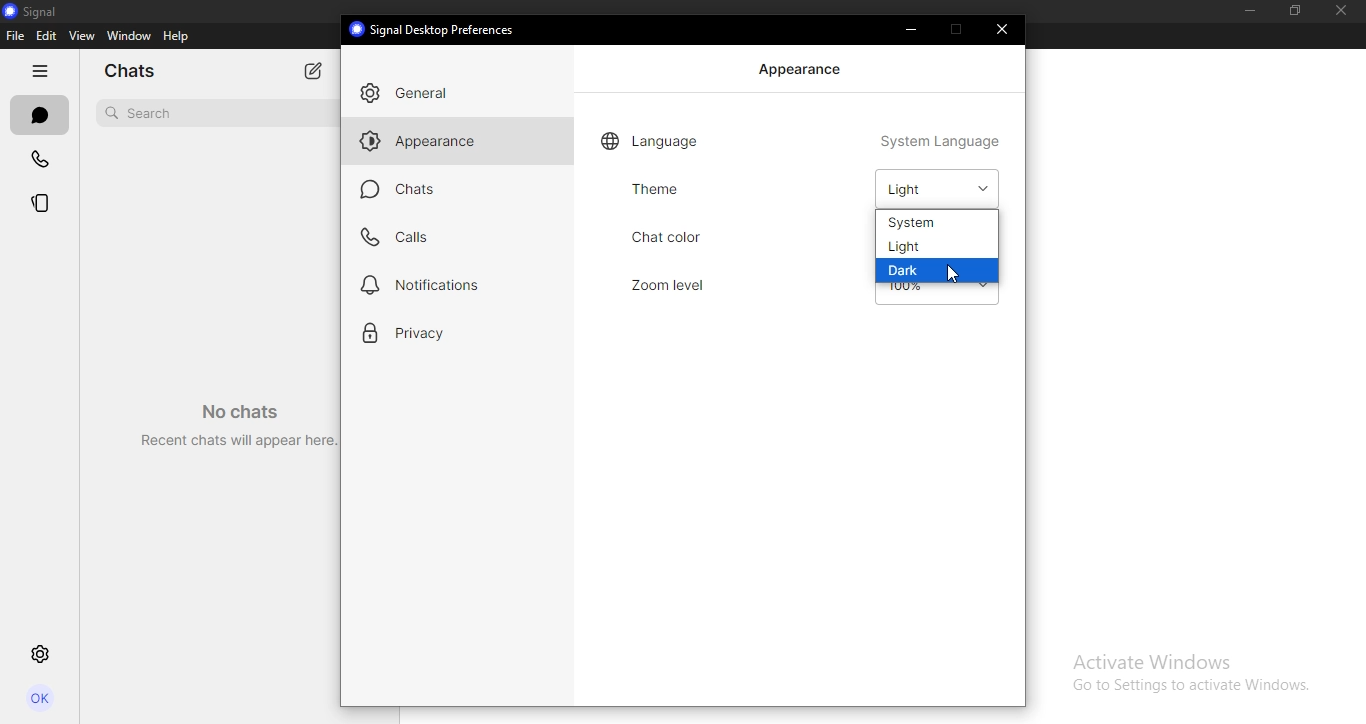 This screenshot has width=1366, height=724. Describe the element at coordinates (1346, 12) in the screenshot. I see `close` at that location.